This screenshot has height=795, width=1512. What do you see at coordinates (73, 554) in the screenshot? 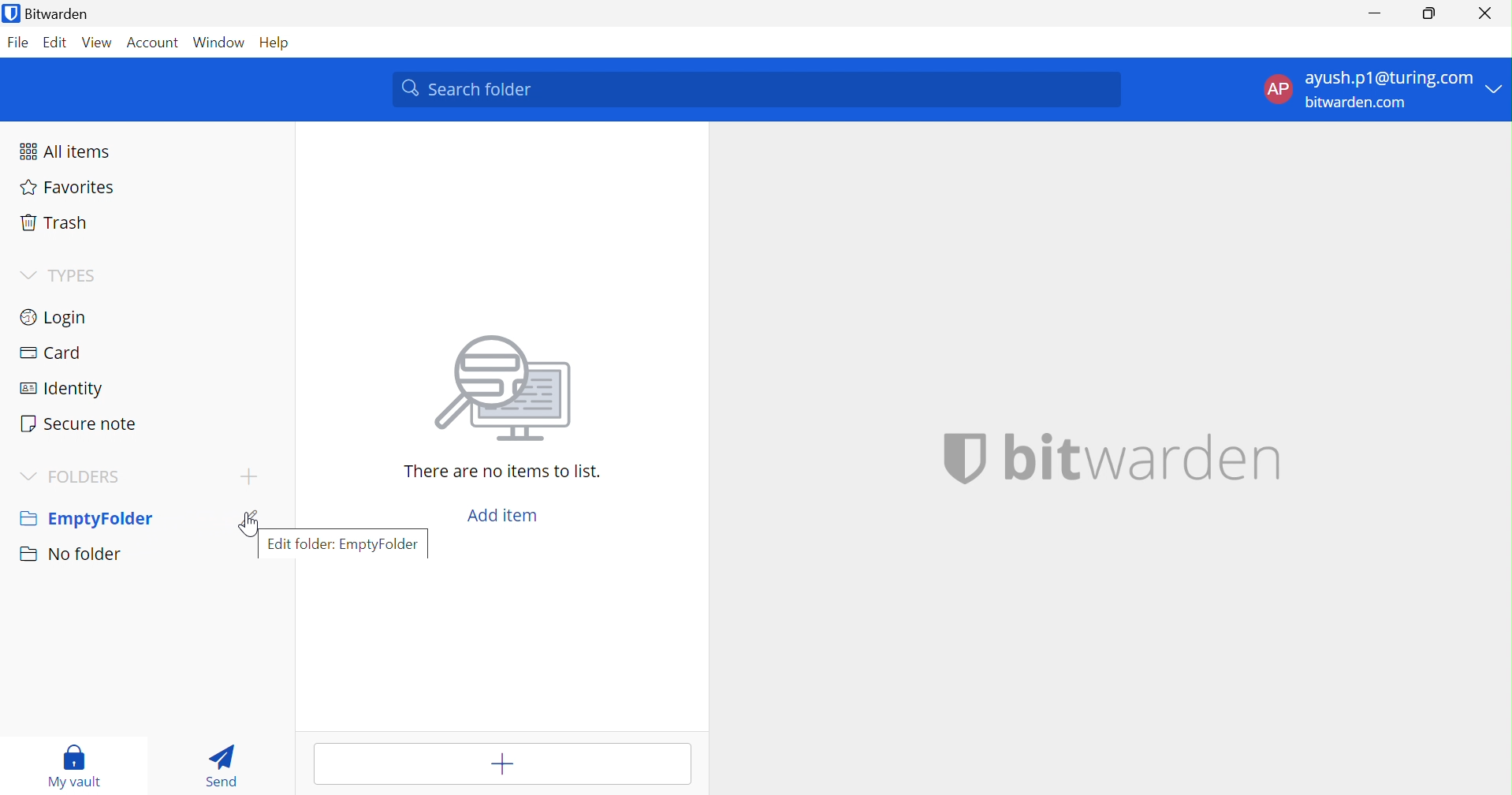
I see `No folder` at bounding box center [73, 554].